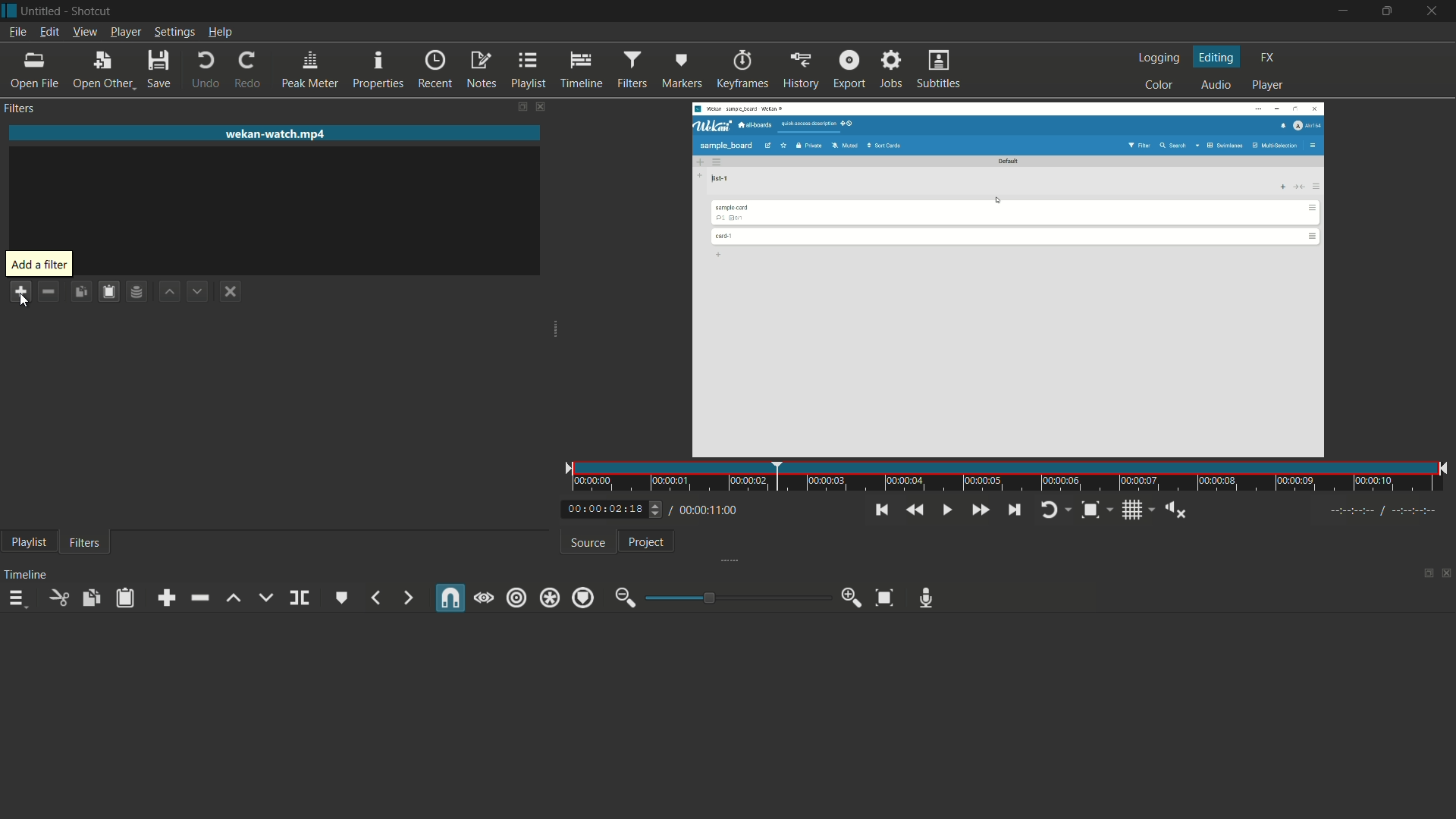 Image resolution: width=1456 pixels, height=819 pixels. Describe the element at coordinates (33, 71) in the screenshot. I see `open file` at that location.